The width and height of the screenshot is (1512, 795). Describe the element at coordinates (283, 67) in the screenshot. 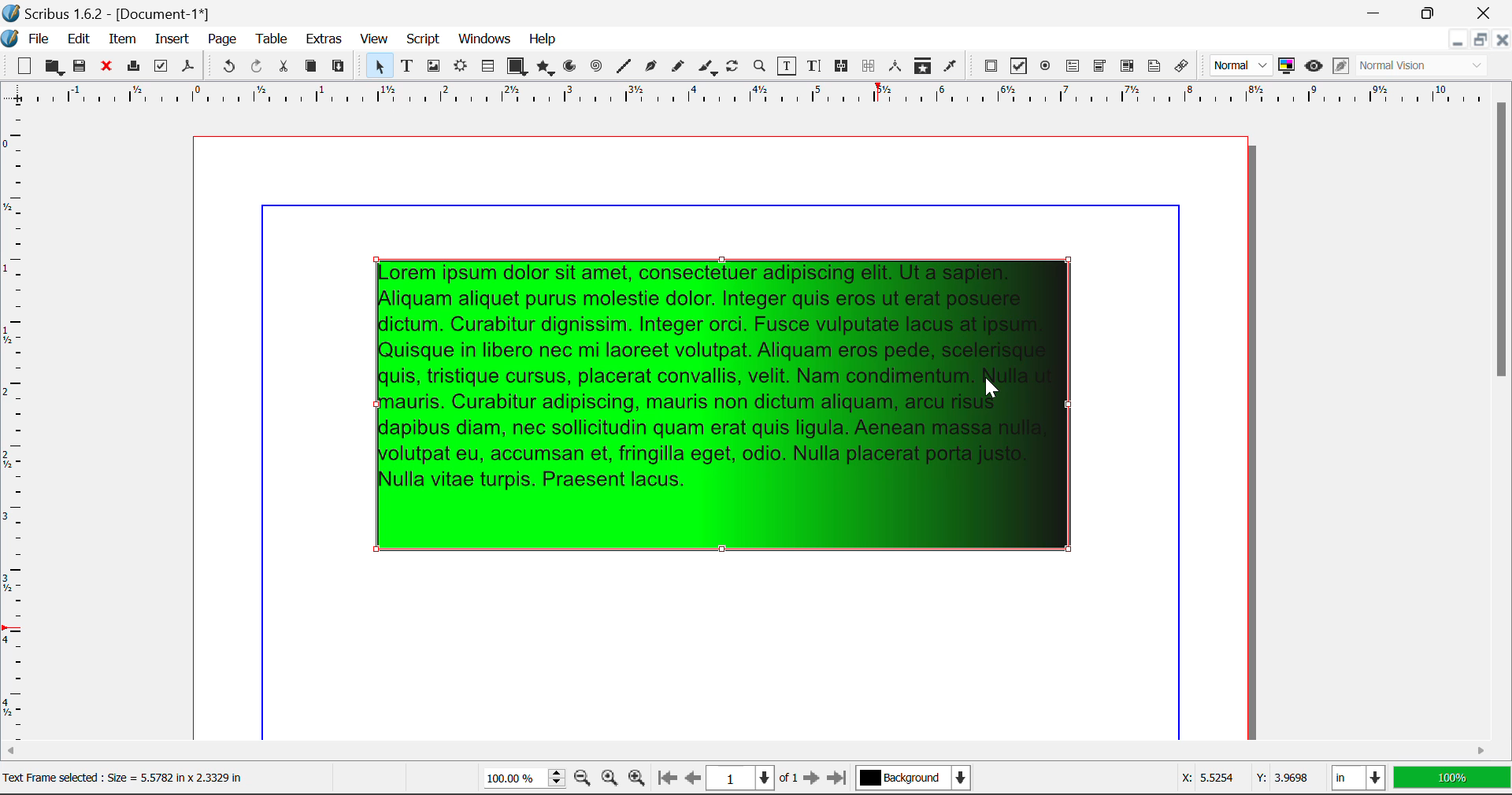

I see `Cut` at that location.